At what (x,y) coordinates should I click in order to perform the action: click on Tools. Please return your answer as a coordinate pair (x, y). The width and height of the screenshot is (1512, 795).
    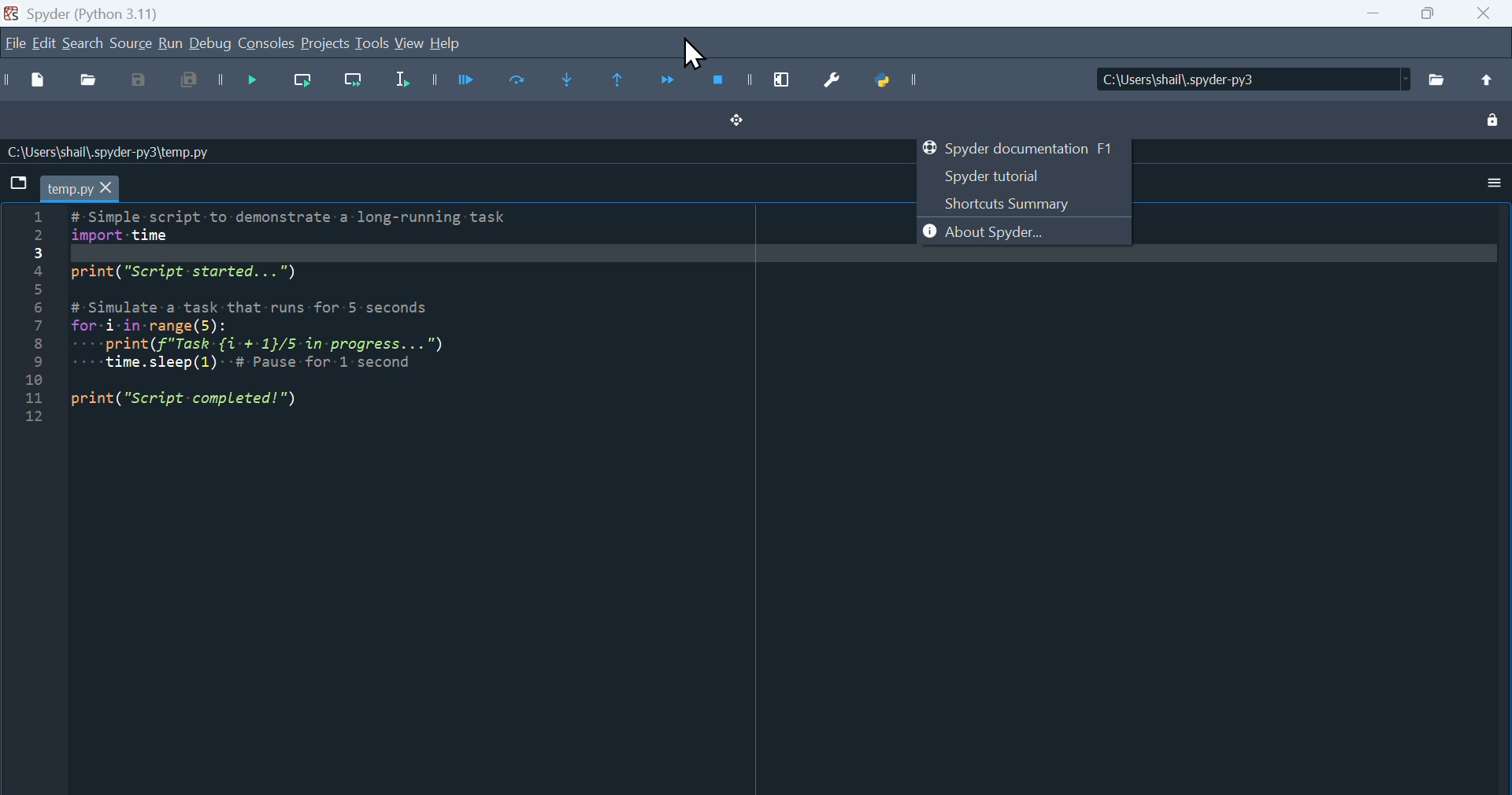
    Looking at the image, I should click on (370, 43).